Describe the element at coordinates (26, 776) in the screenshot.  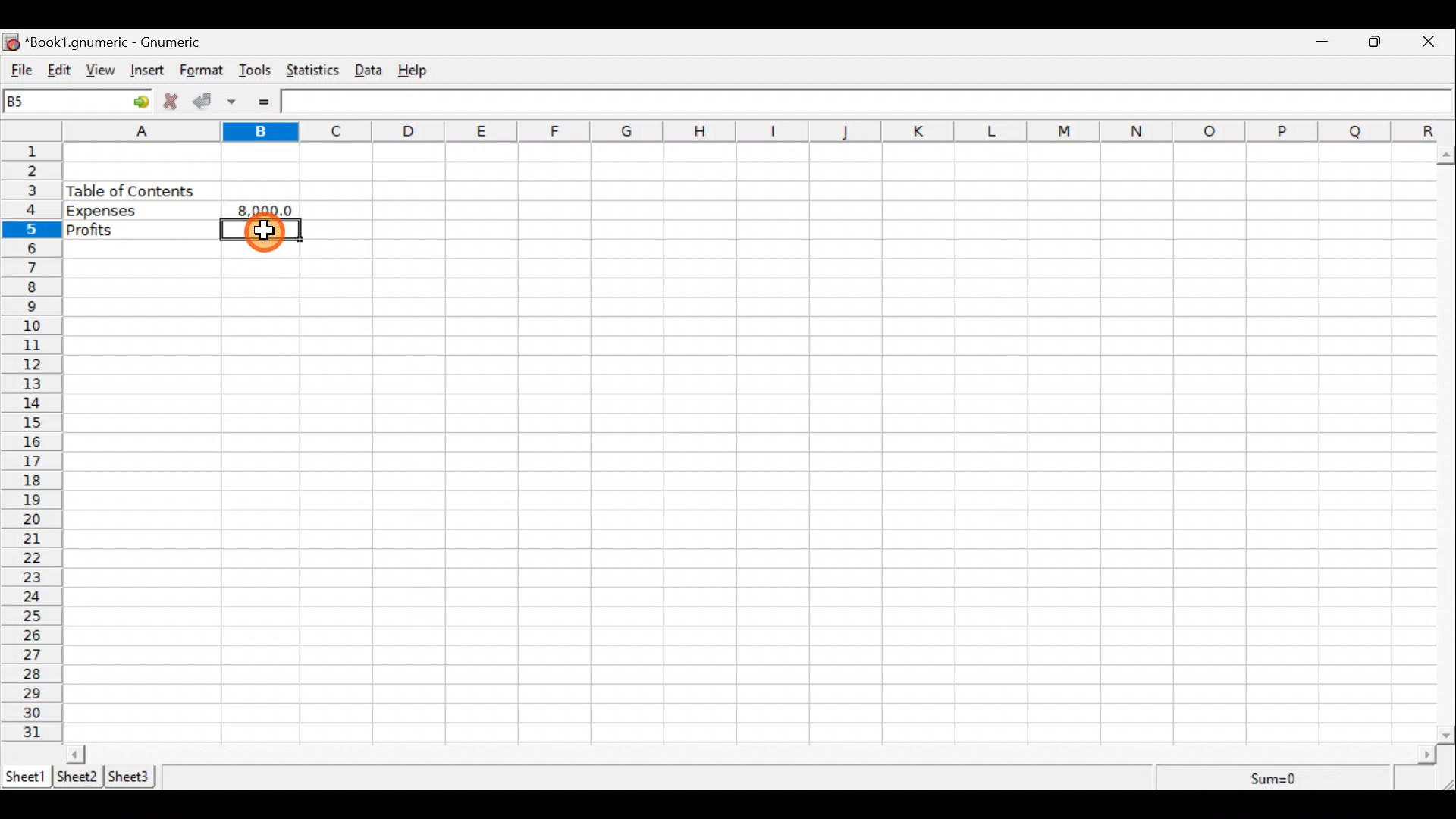
I see `Sheet 1` at that location.